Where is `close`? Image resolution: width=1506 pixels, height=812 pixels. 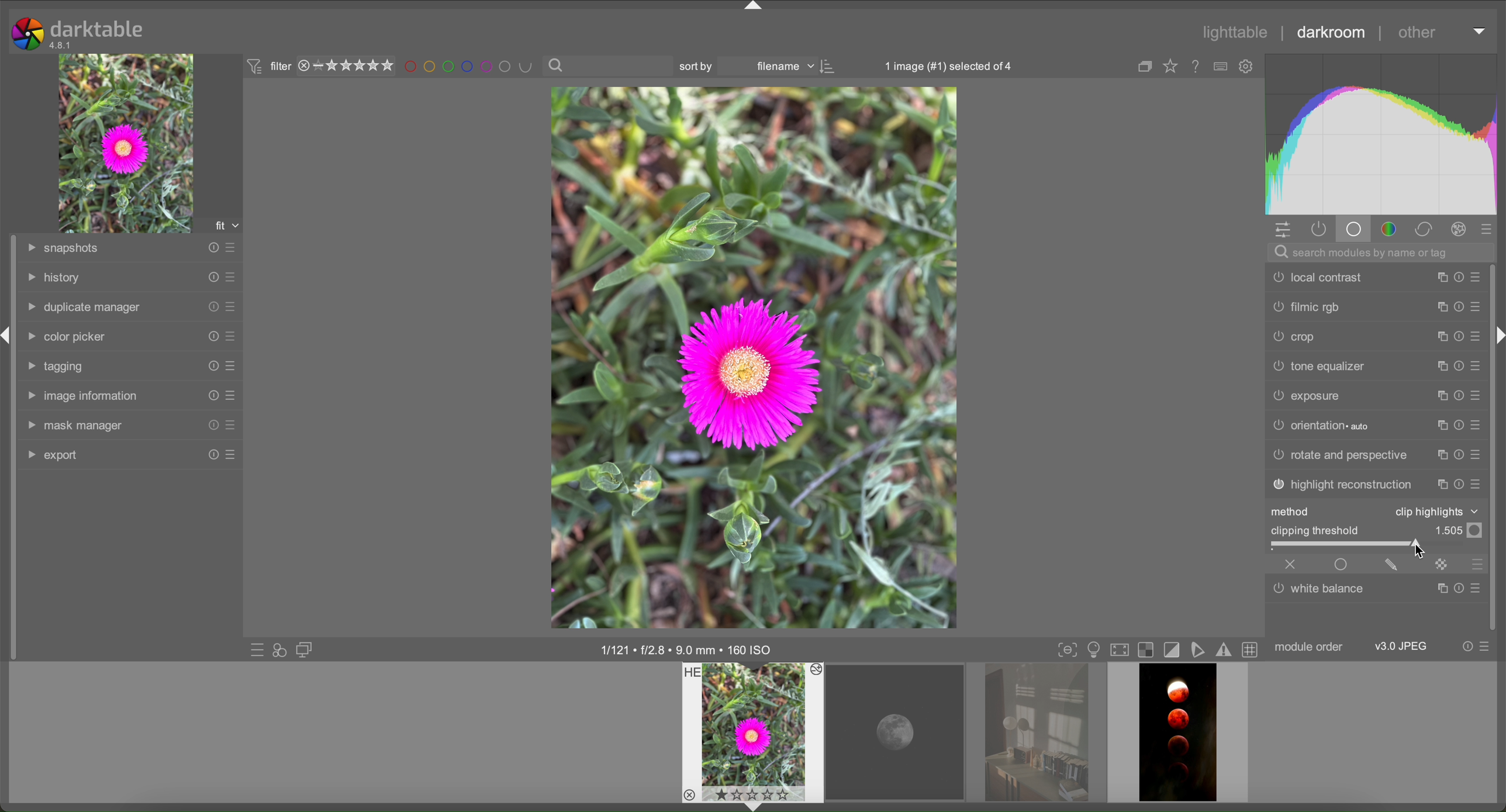
close is located at coordinates (1291, 565).